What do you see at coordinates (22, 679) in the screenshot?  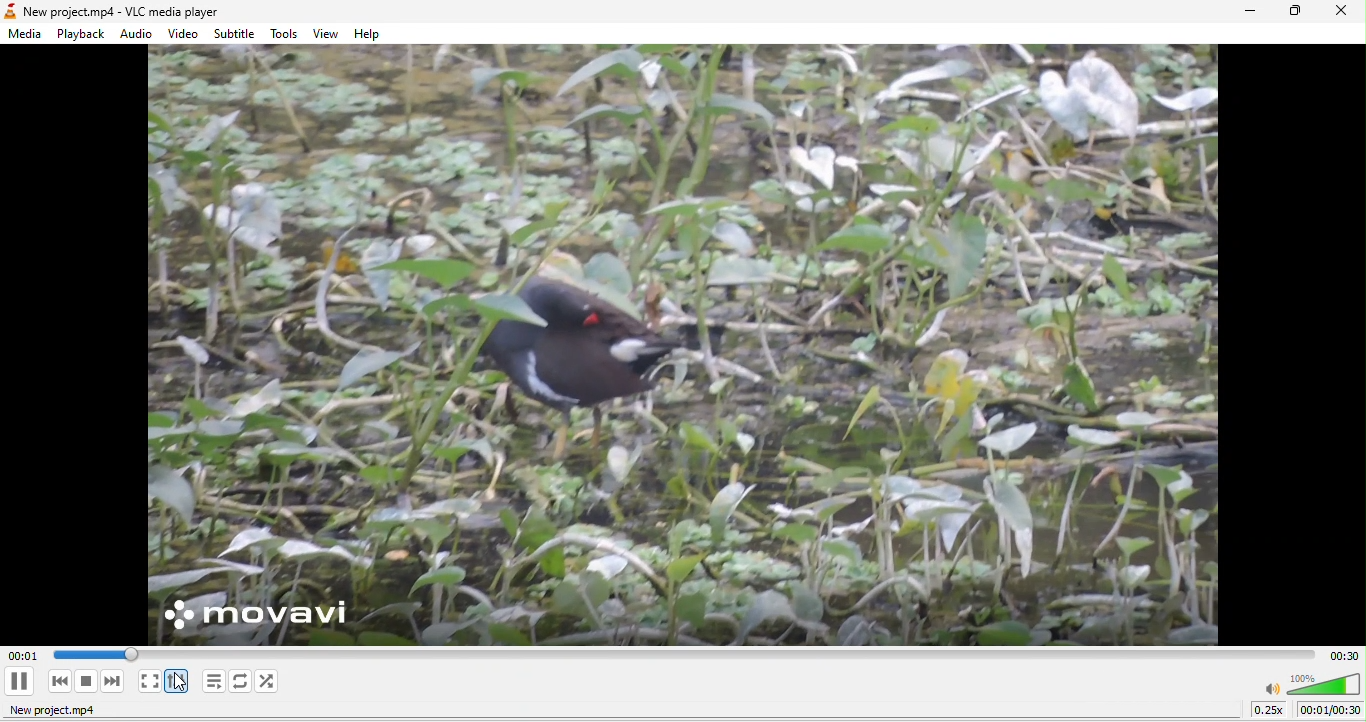 I see `` at bounding box center [22, 679].